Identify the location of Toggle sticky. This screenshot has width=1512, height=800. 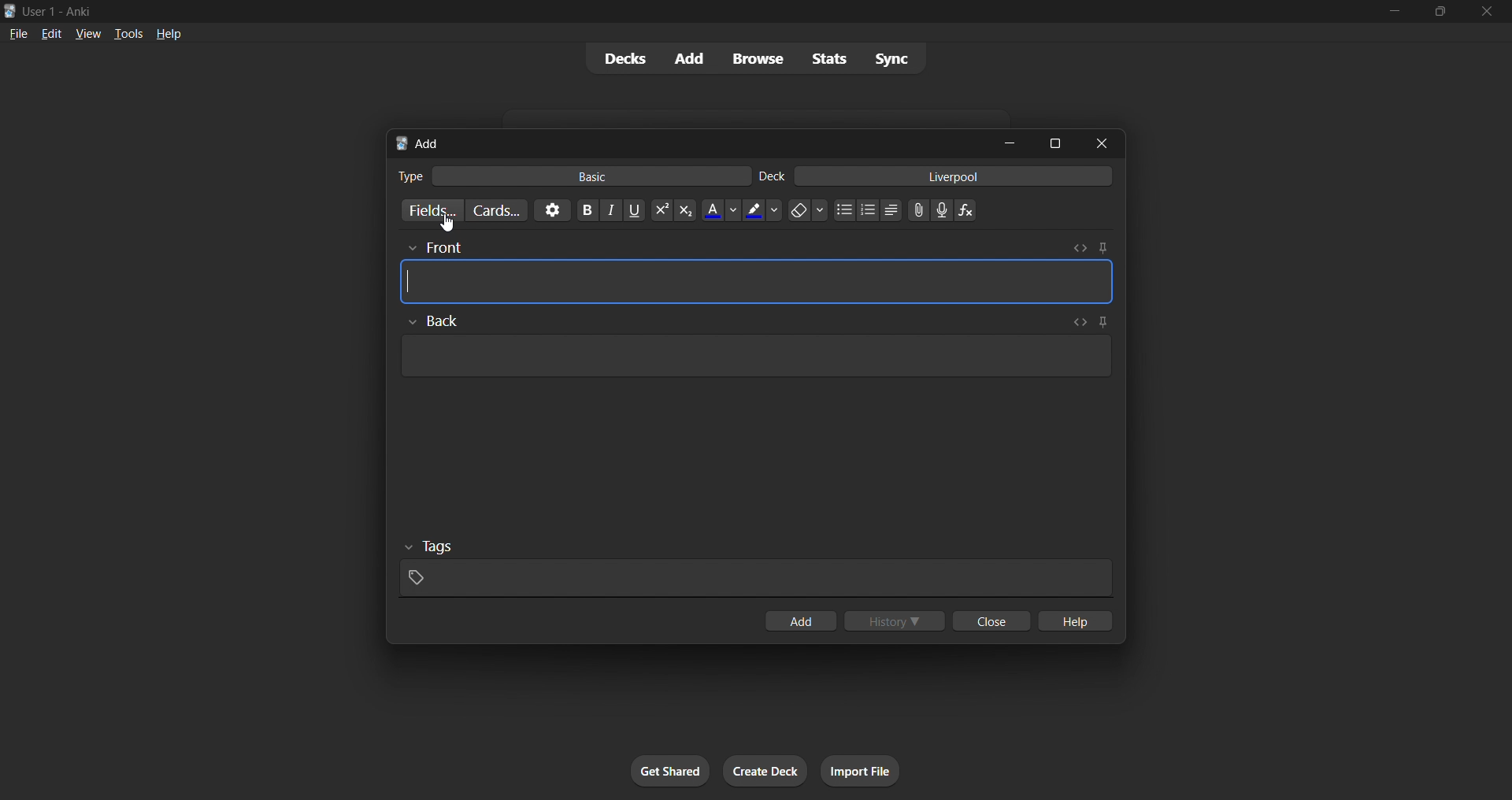
(1100, 324).